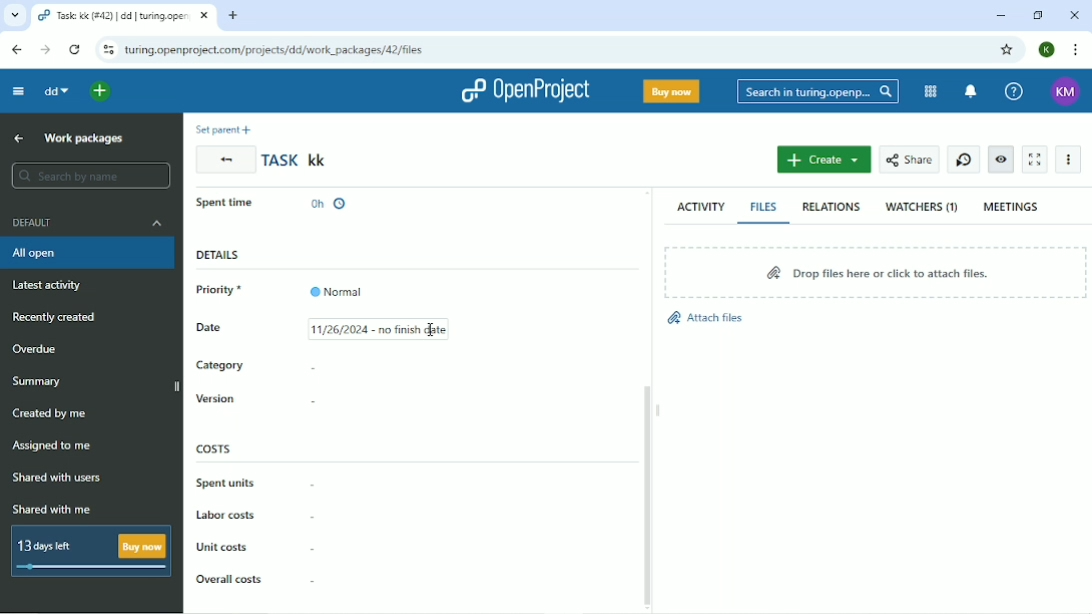  What do you see at coordinates (85, 139) in the screenshot?
I see `Work packages` at bounding box center [85, 139].